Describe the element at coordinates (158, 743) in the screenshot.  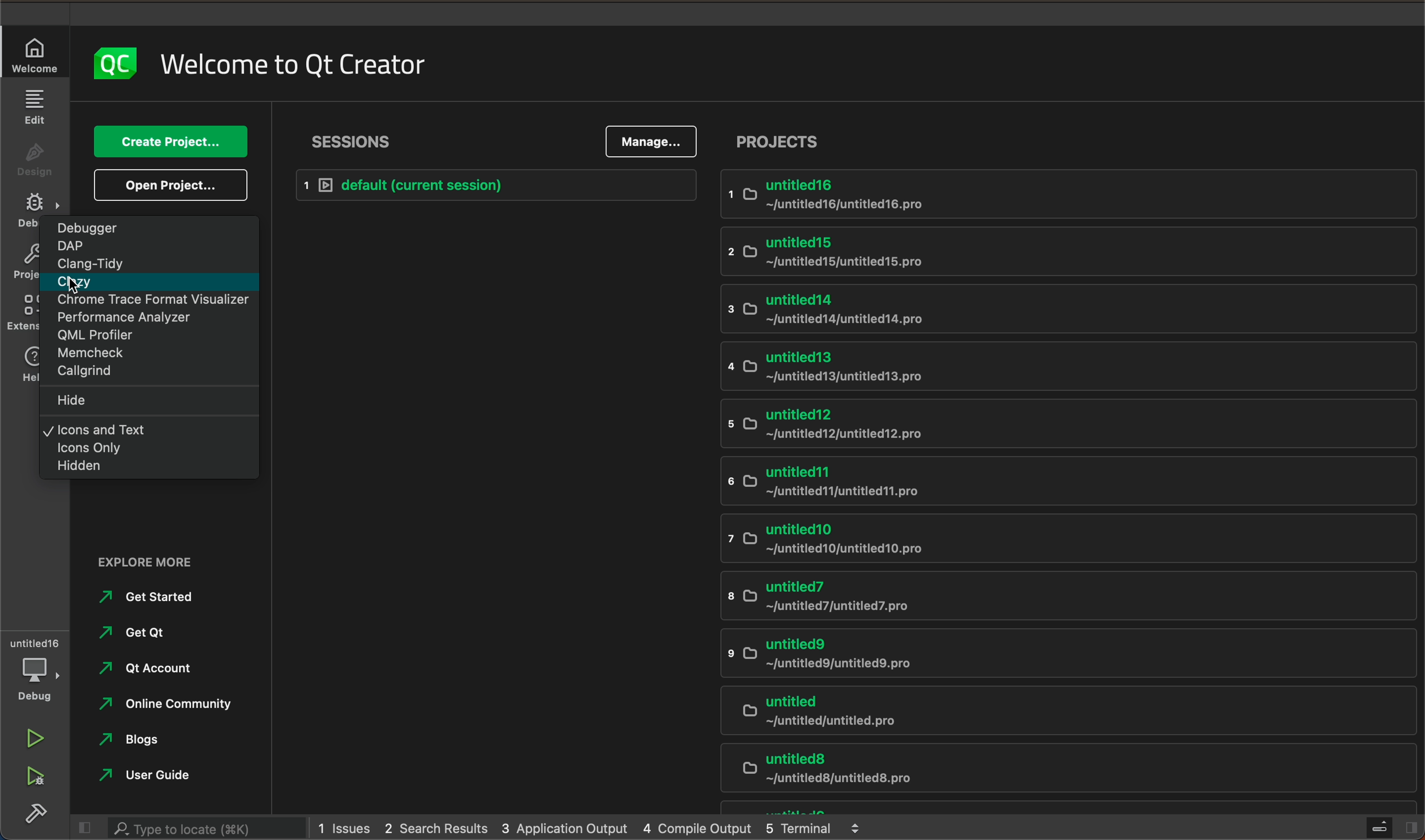
I see `blogs` at that location.